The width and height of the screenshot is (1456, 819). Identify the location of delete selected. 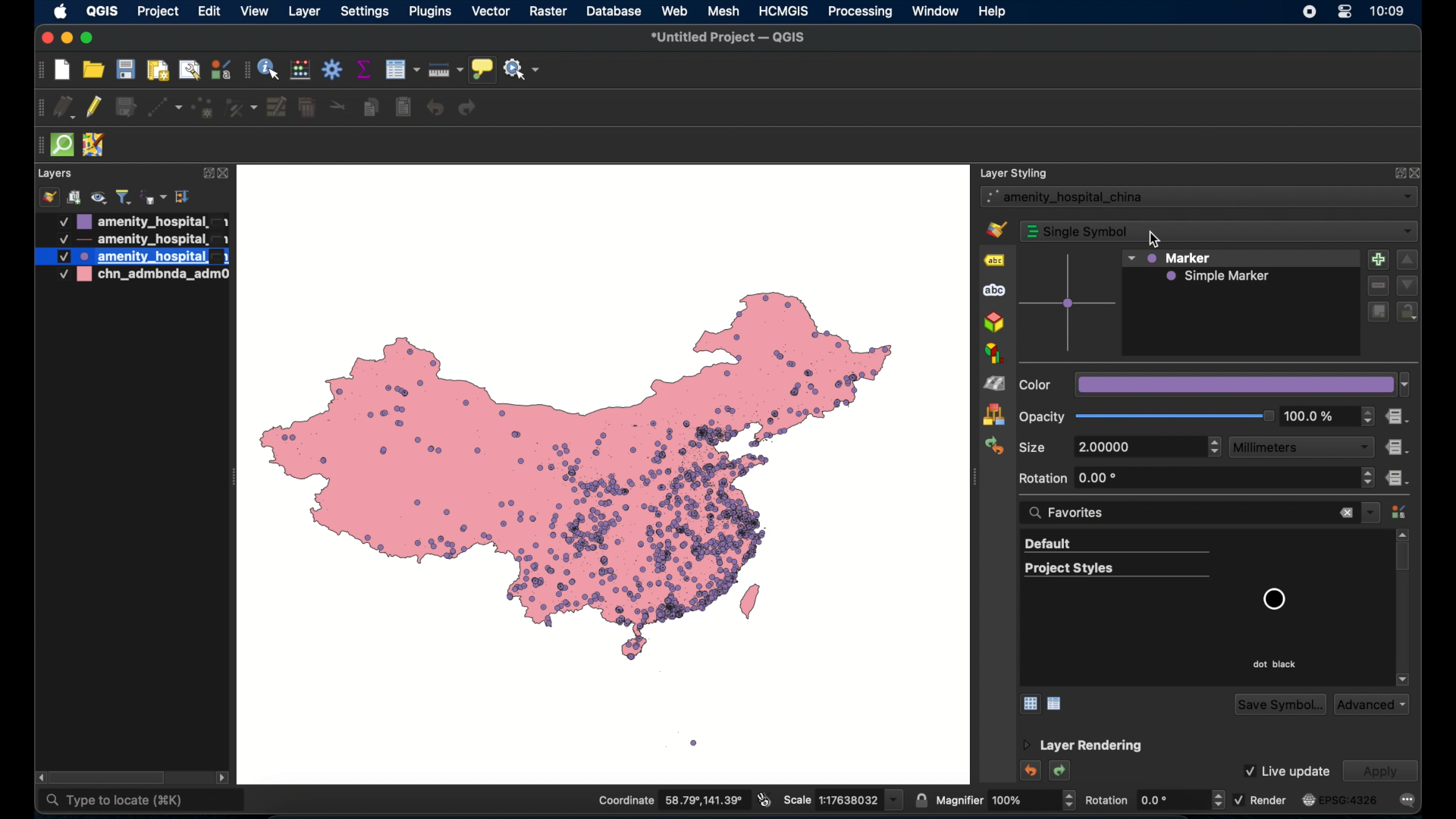
(307, 108).